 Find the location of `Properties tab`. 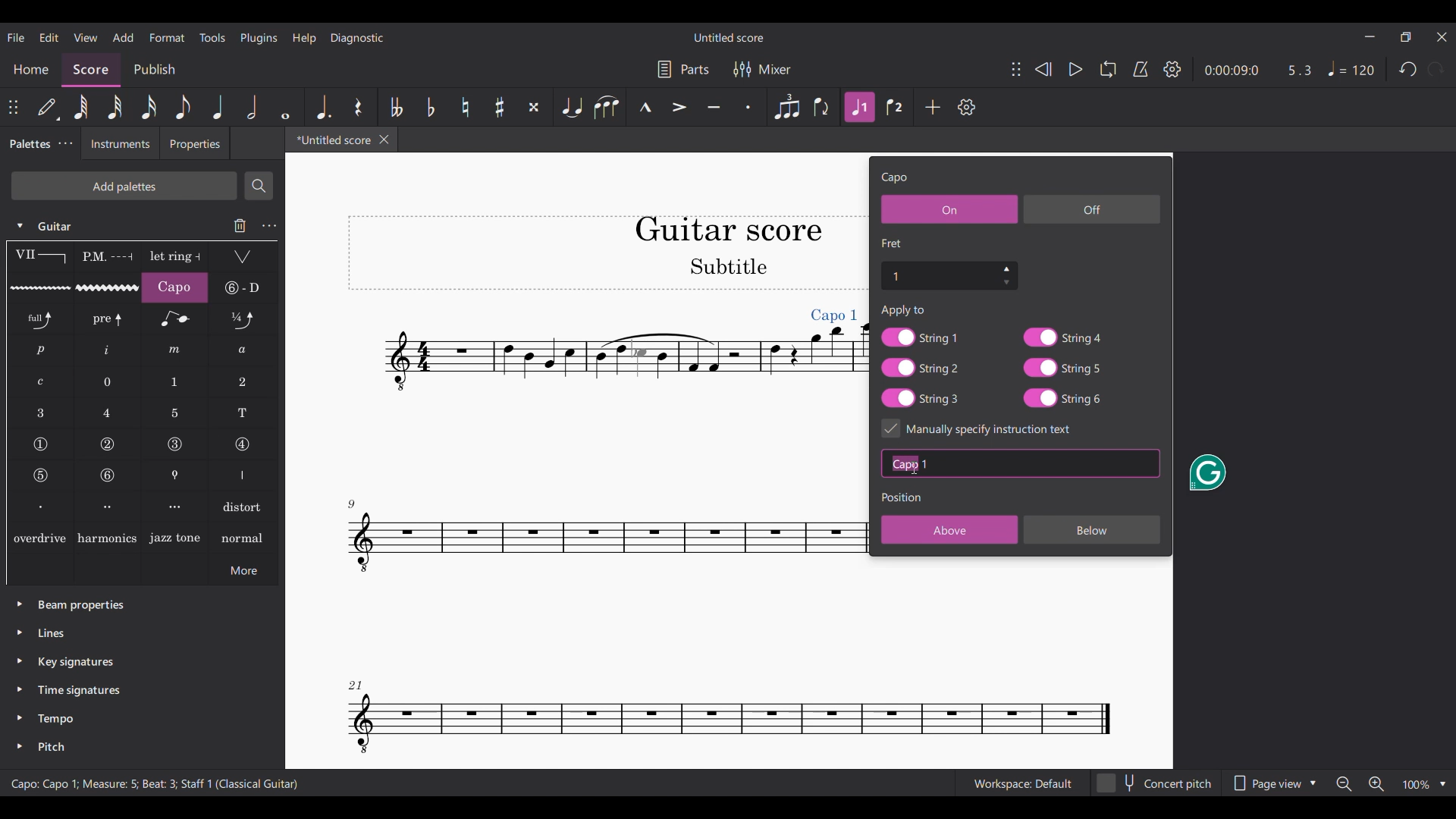

Properties tab is located at coordinates (195, 143).